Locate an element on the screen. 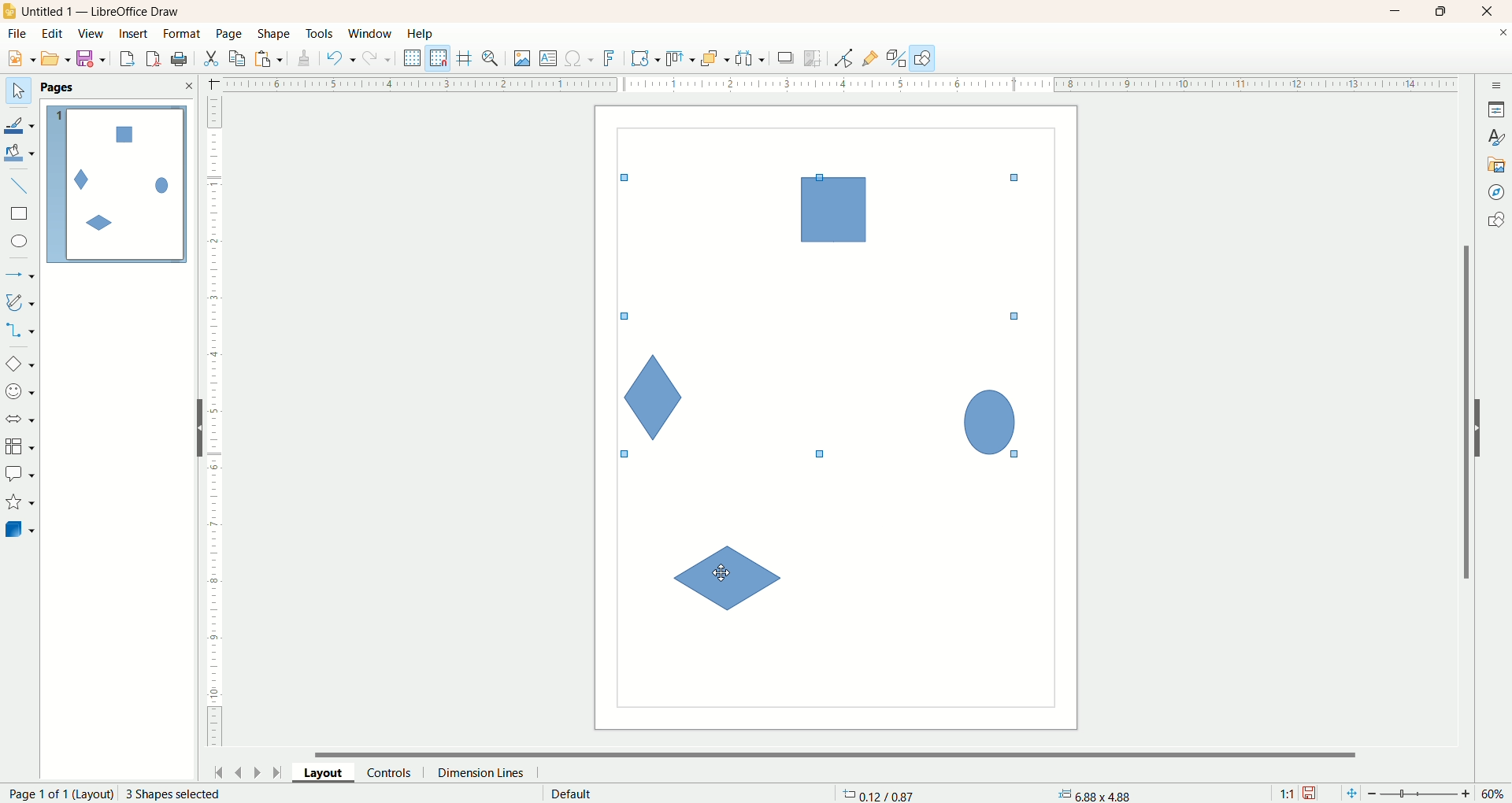 The height and width of the screenshot is (803, 1512). cut is located at coordinates (210, 58).